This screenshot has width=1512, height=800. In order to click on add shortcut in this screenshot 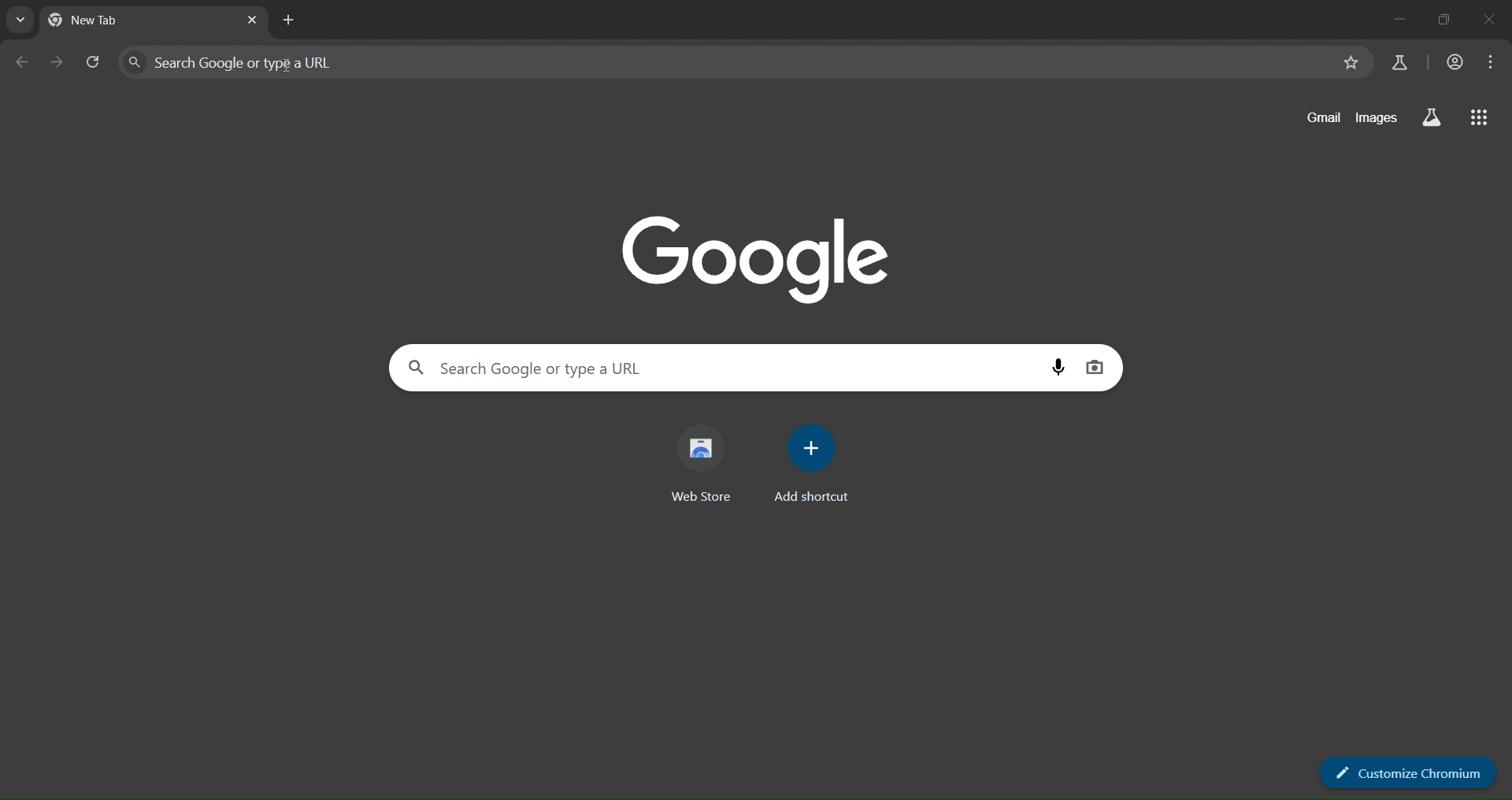, I will do `click(816, 461)`.